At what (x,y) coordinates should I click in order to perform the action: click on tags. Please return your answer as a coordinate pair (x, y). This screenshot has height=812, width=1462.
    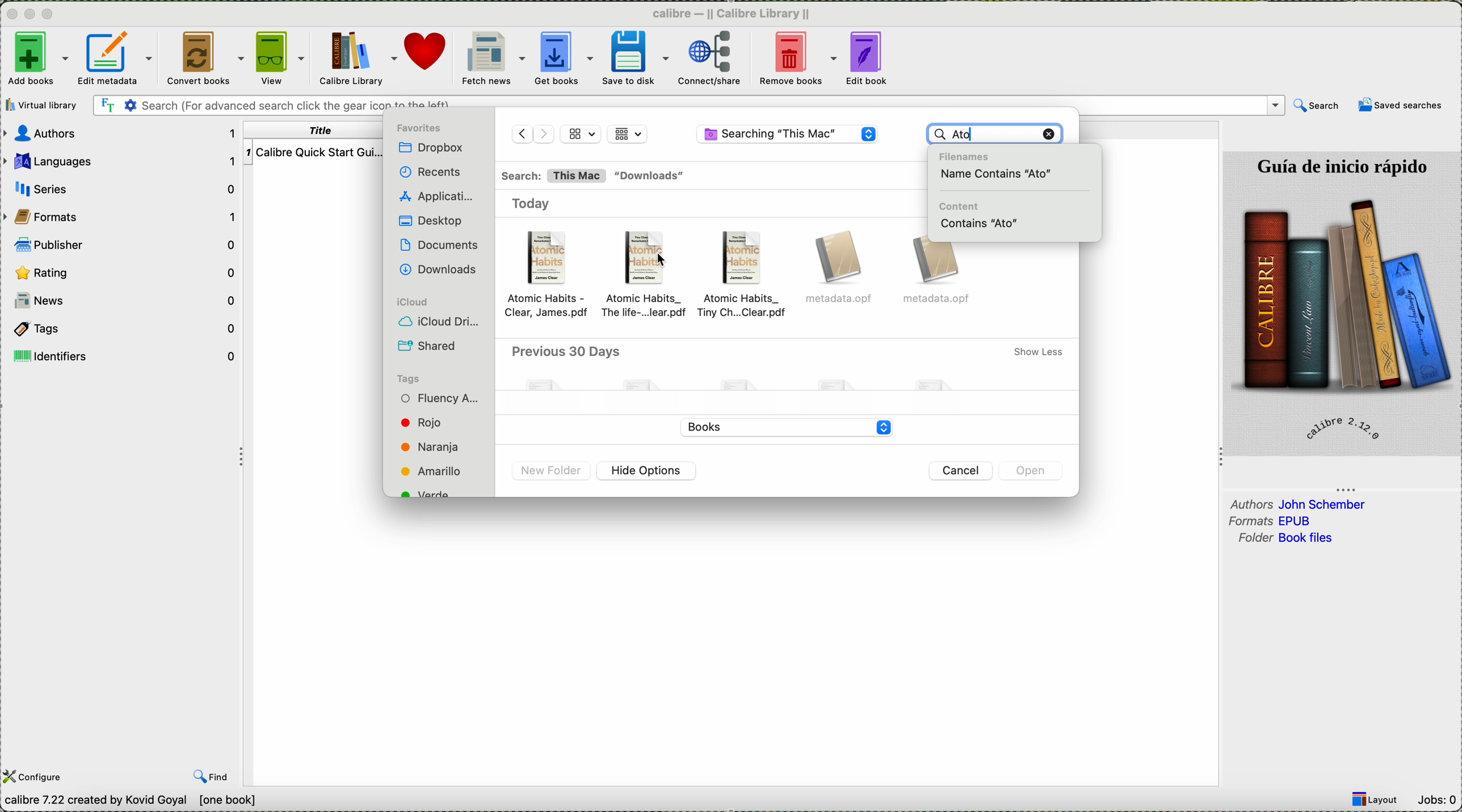
    Looking at the image, I should click on (440, 444).